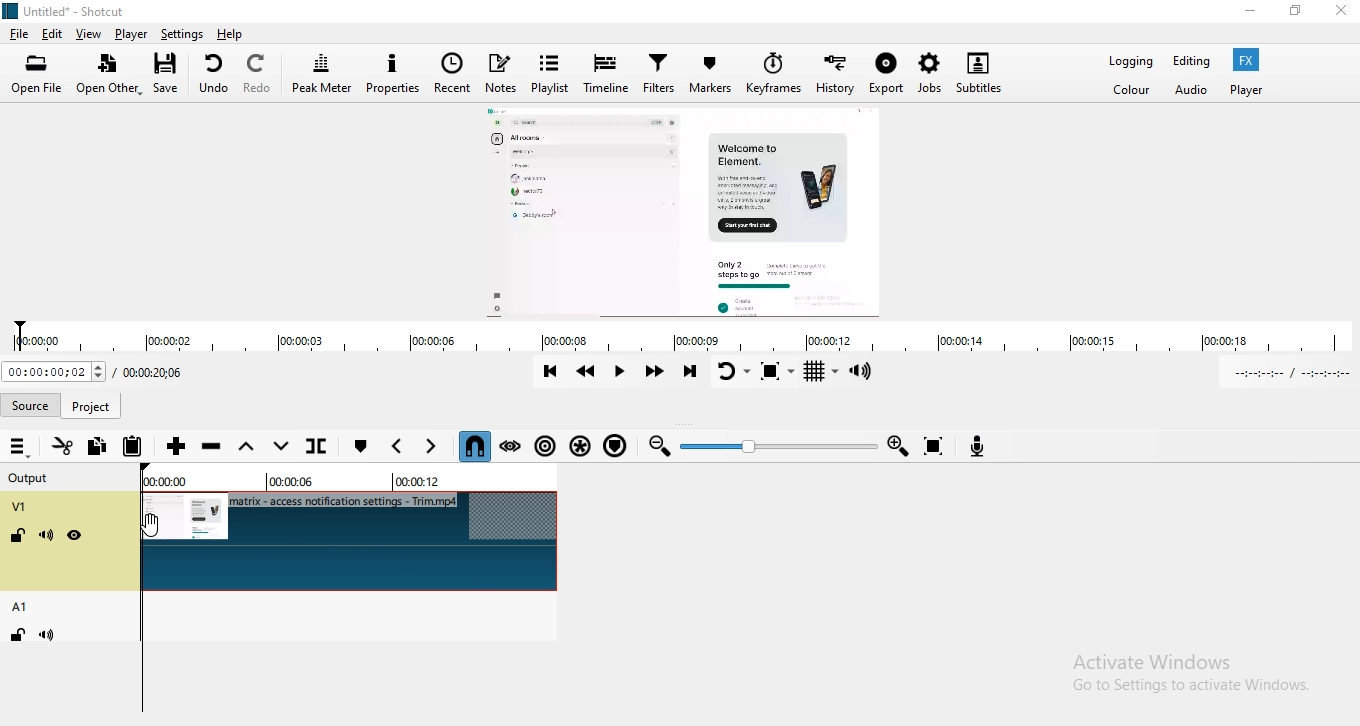 The height and width of the screenshot is (726, 1360). I want to click on Cut, so click(63, 447).